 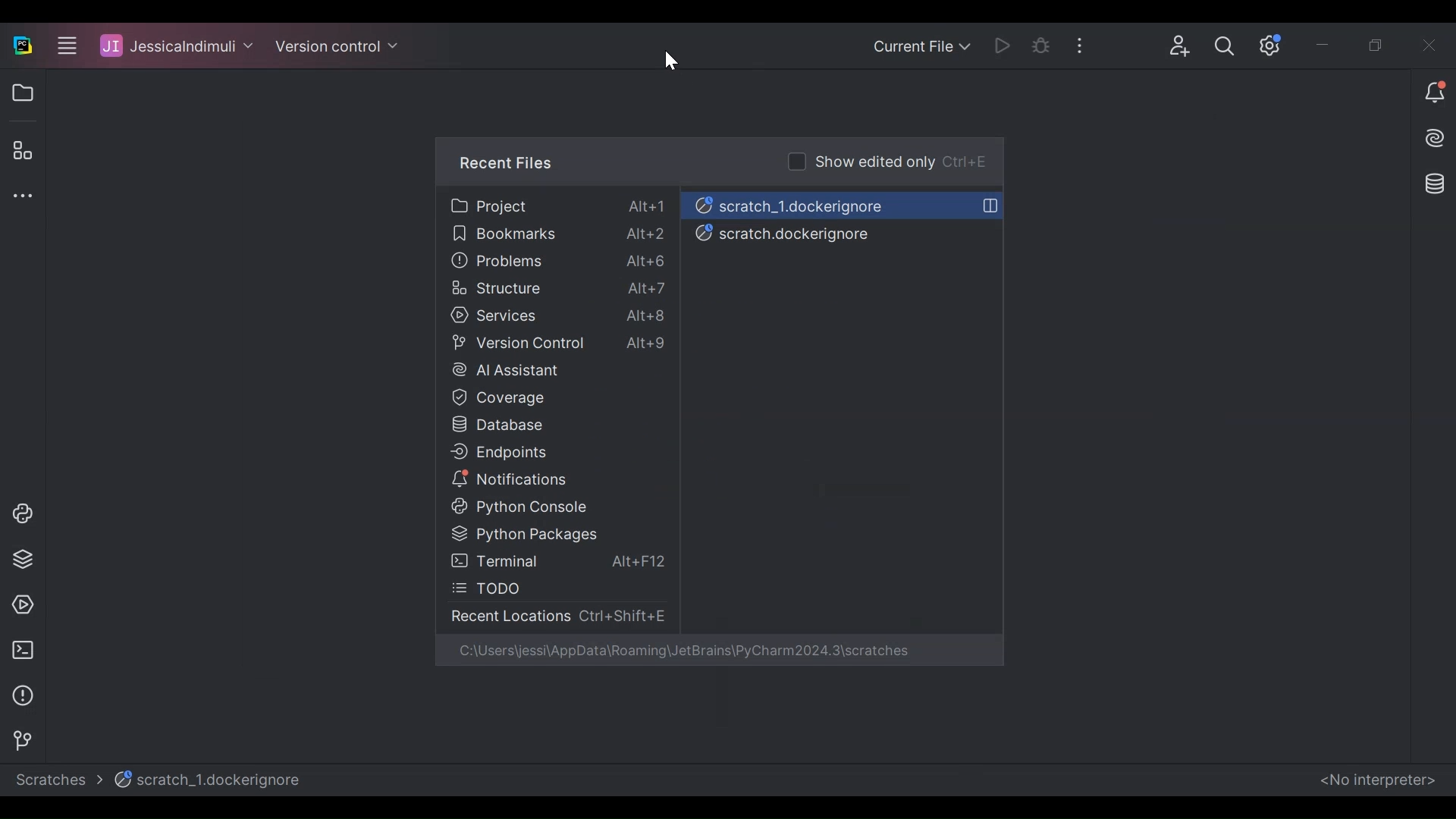 What do you see at coordinates (212, 780) in the screenshot?
I see `scratch_1.dockerignore` at bounding box center [212, 780].